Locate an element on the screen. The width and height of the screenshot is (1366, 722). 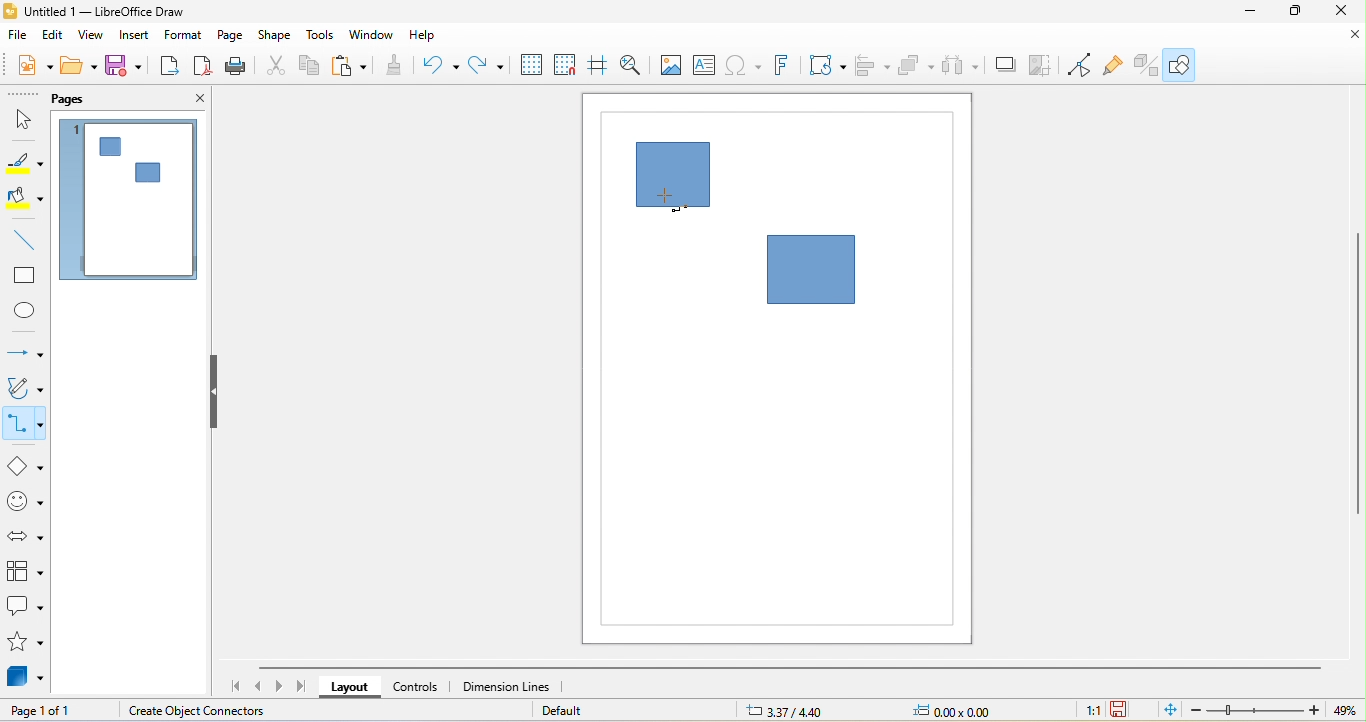
line is located at coordinates (24, 240).